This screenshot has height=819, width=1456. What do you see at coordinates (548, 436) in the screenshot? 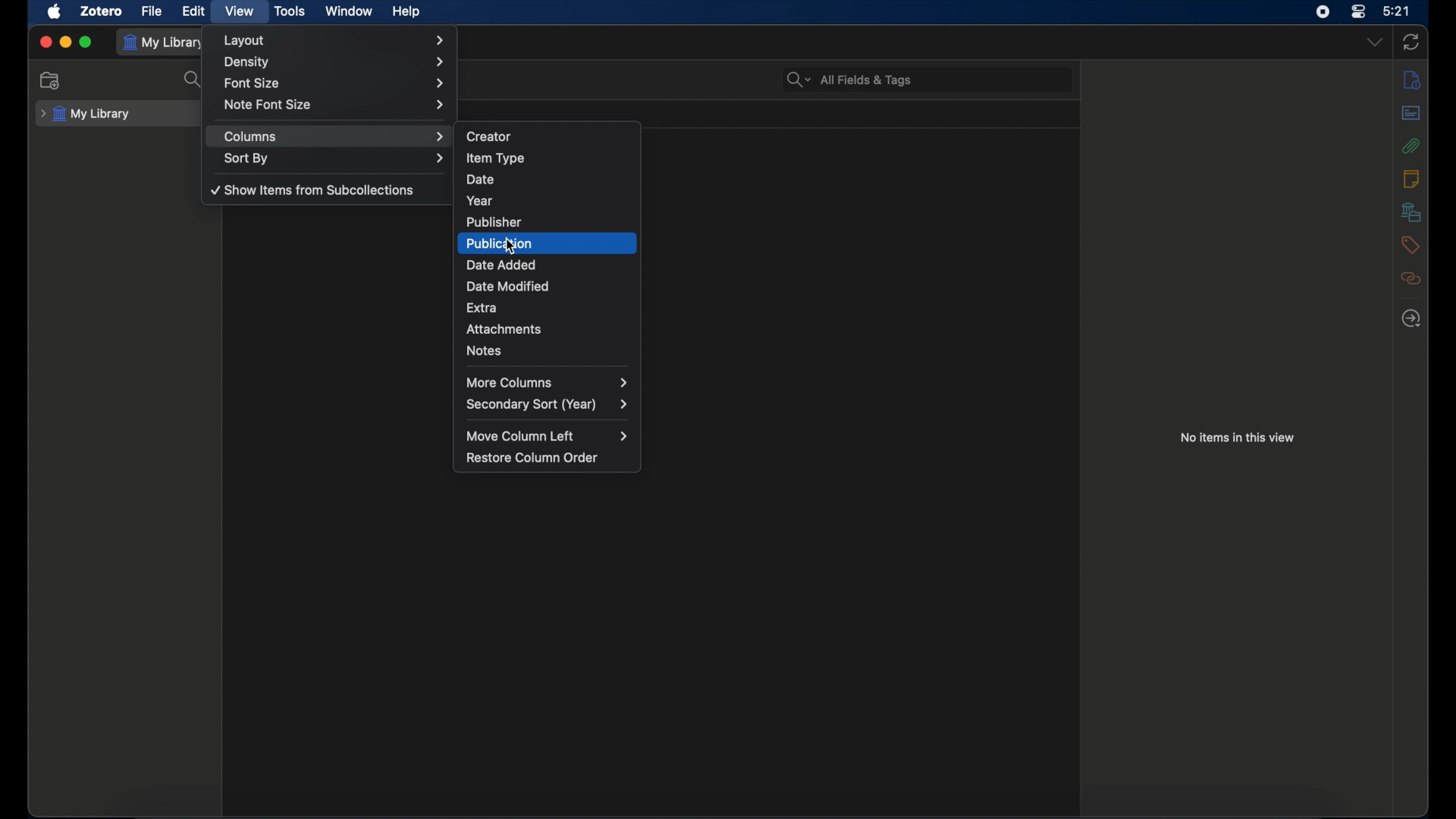
I see `move column left` at bounding box center [548, 436].